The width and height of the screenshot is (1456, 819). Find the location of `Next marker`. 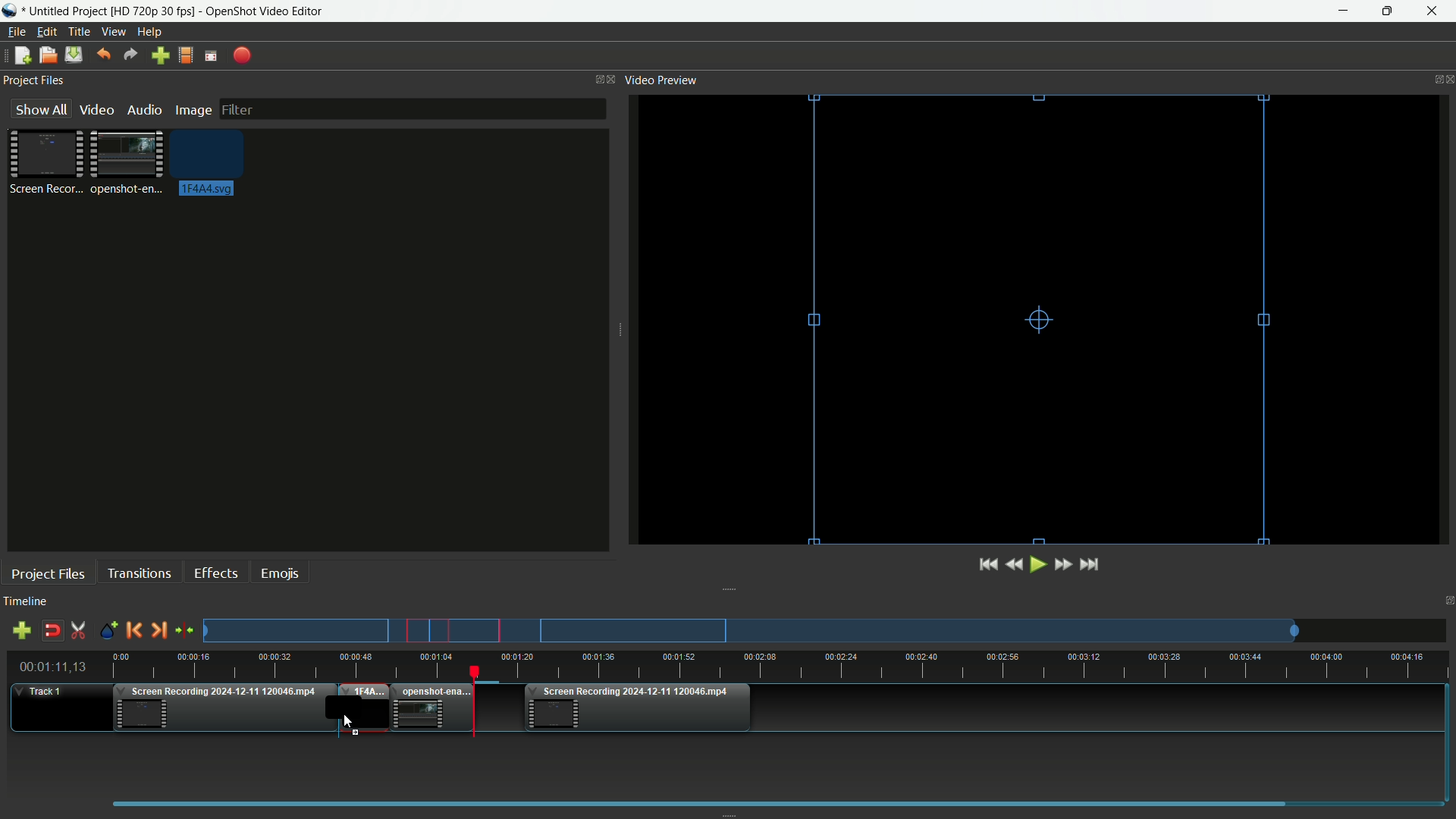

Next marker is located at coordinates (157, 631).